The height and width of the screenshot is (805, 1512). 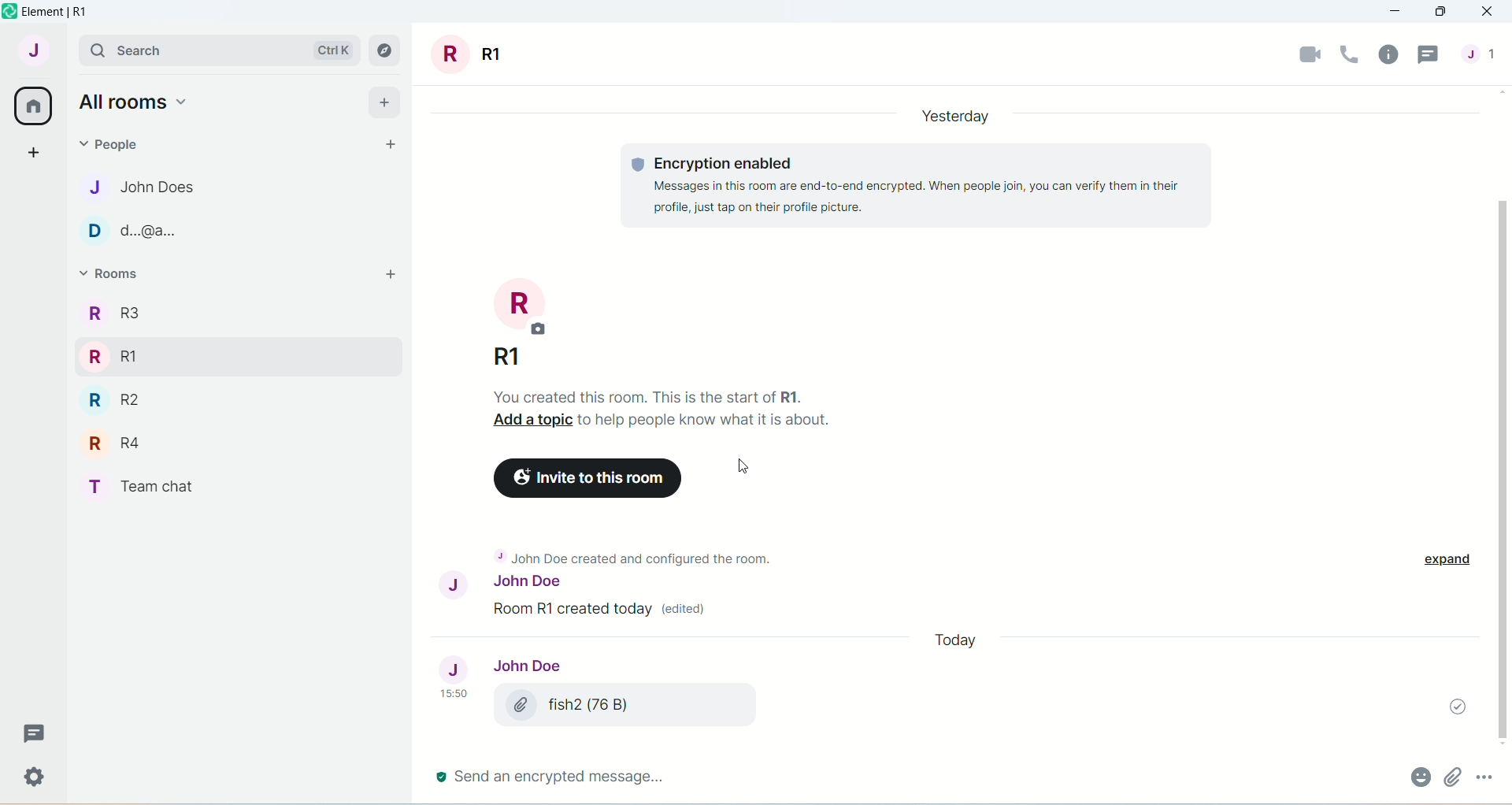 I want to click on maximize, so click(x=1443, y=15).